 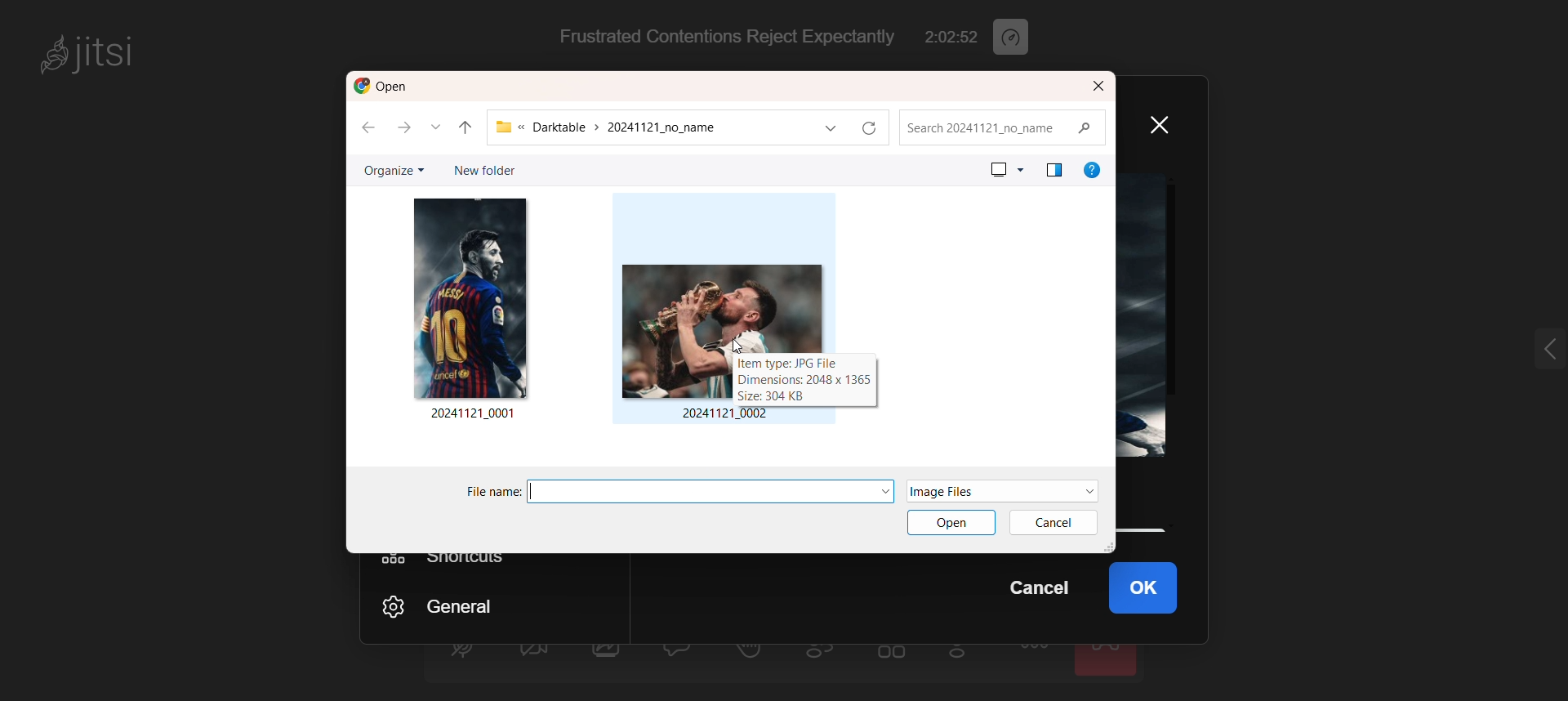 What do you see at coordinates (480, 169) in the screenshot?
I see `new folder` at bounding box center [480, 169].